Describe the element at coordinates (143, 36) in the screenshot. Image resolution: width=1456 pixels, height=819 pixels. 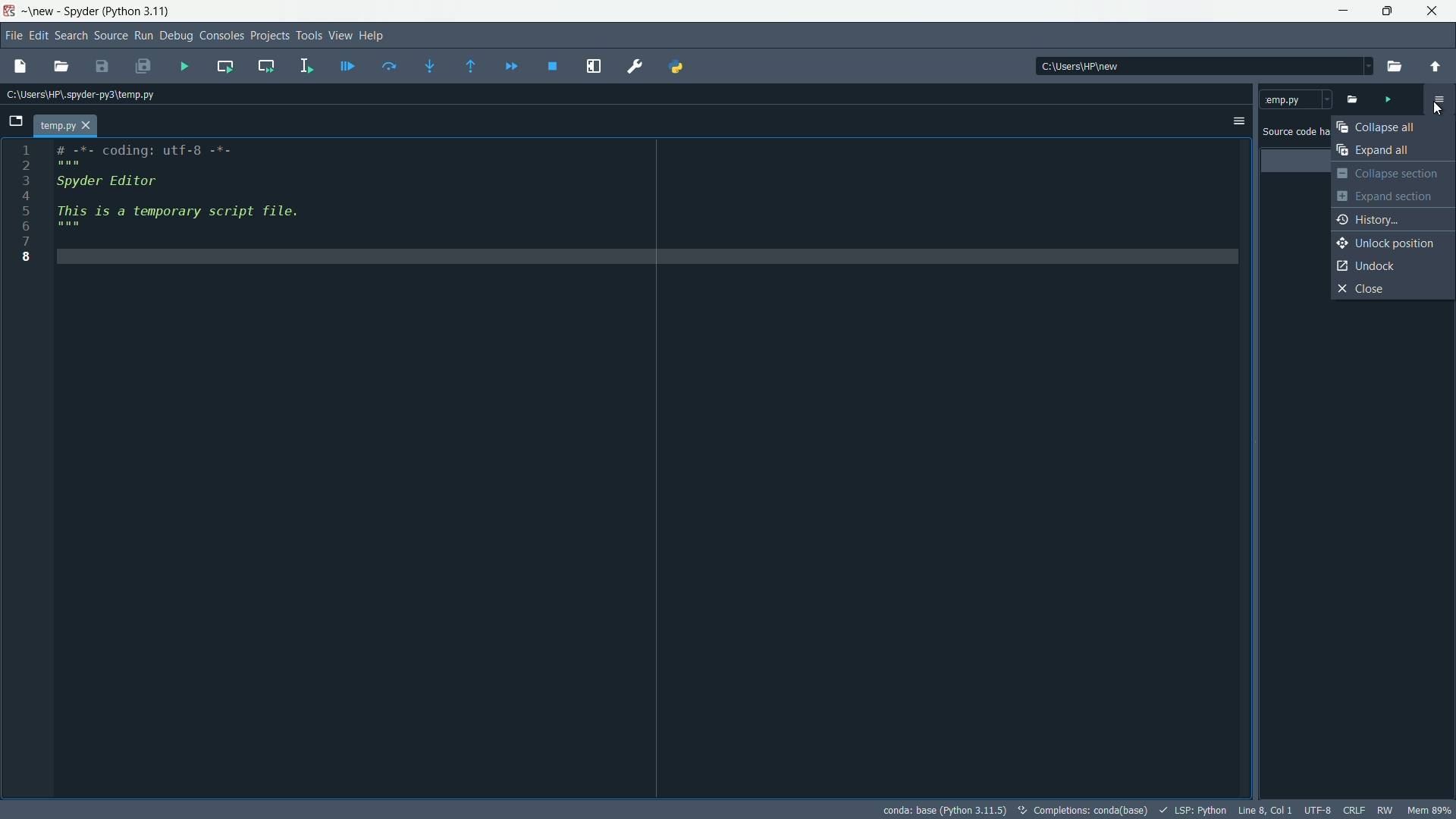
I see `run menu` at that location.